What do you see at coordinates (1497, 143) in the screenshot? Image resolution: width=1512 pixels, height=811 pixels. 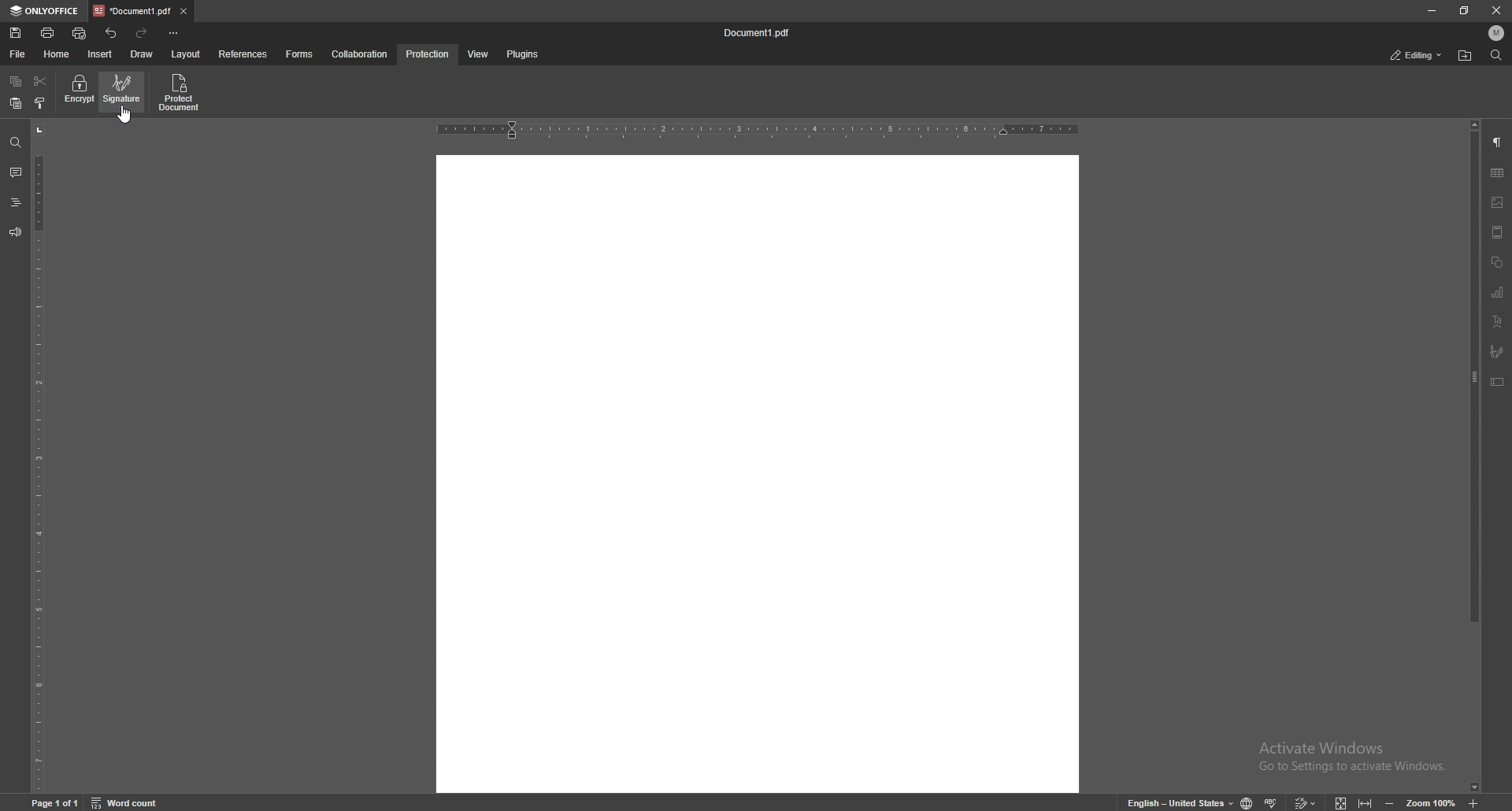 I see `paragraph` at bounding box center [1497, 143].